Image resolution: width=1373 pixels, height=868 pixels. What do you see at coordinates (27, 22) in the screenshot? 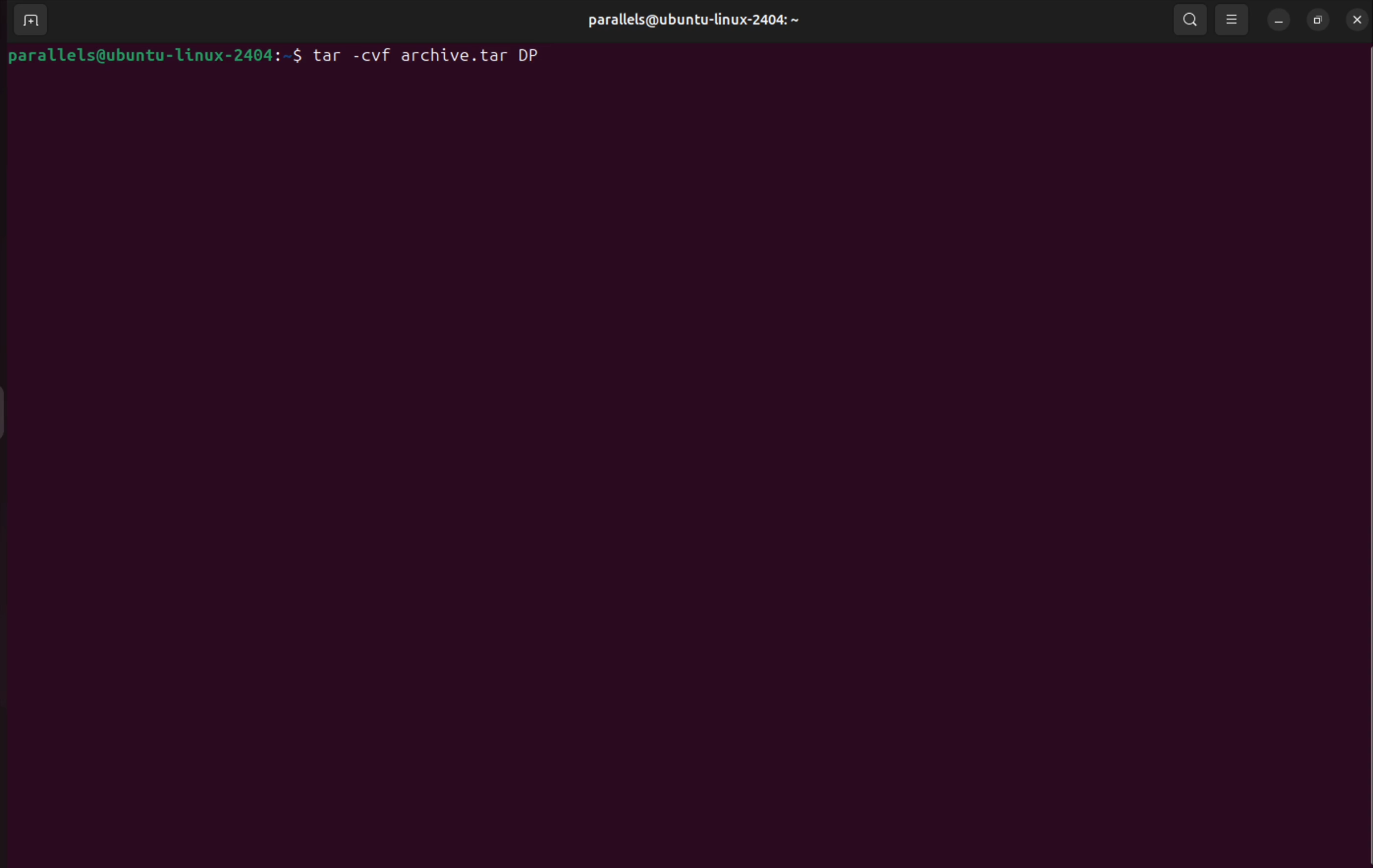
I see `add terminal` at bounding box center [27, 22].